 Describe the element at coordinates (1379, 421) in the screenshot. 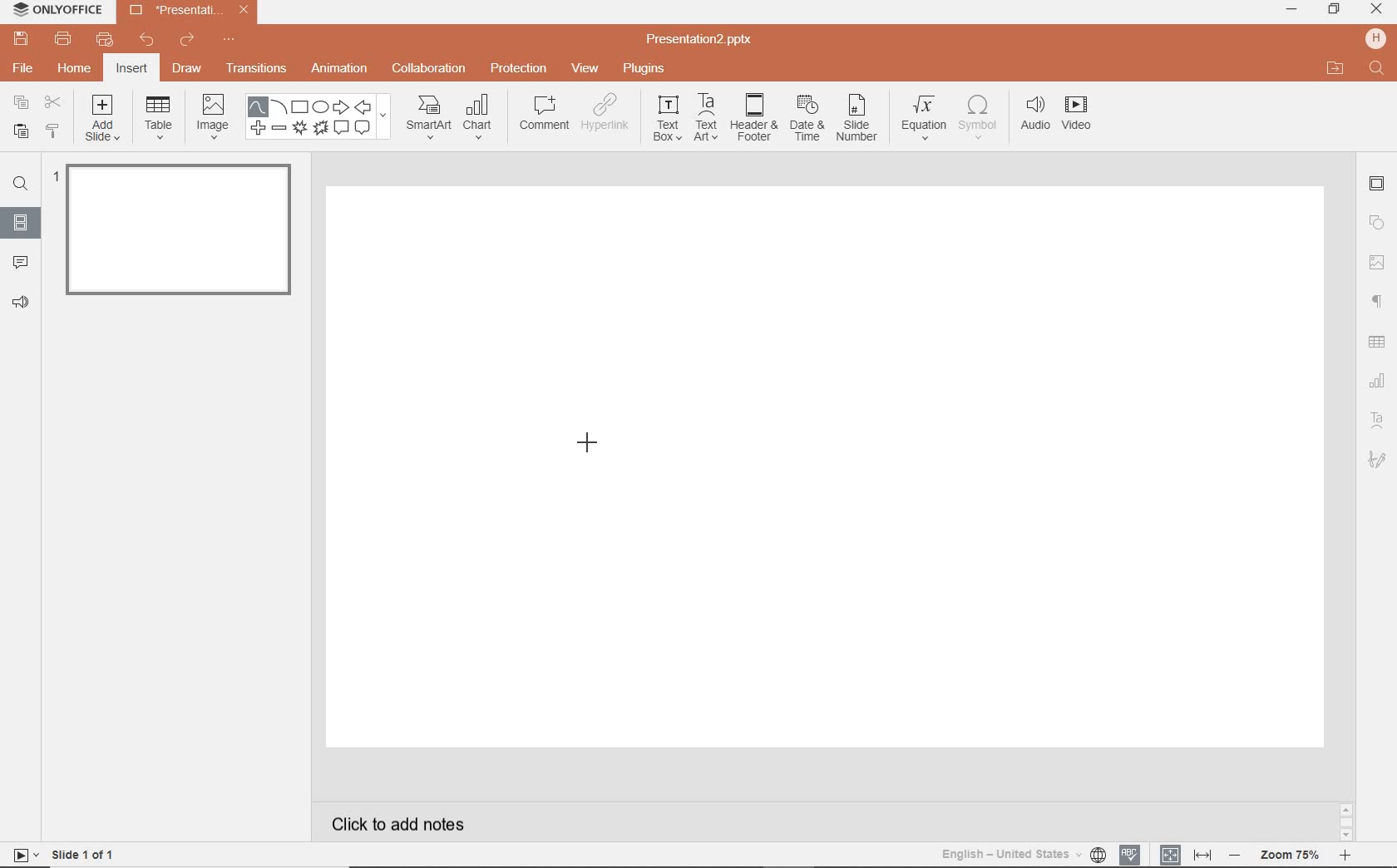

I see `TEXT ART SETTINGS` at that location.